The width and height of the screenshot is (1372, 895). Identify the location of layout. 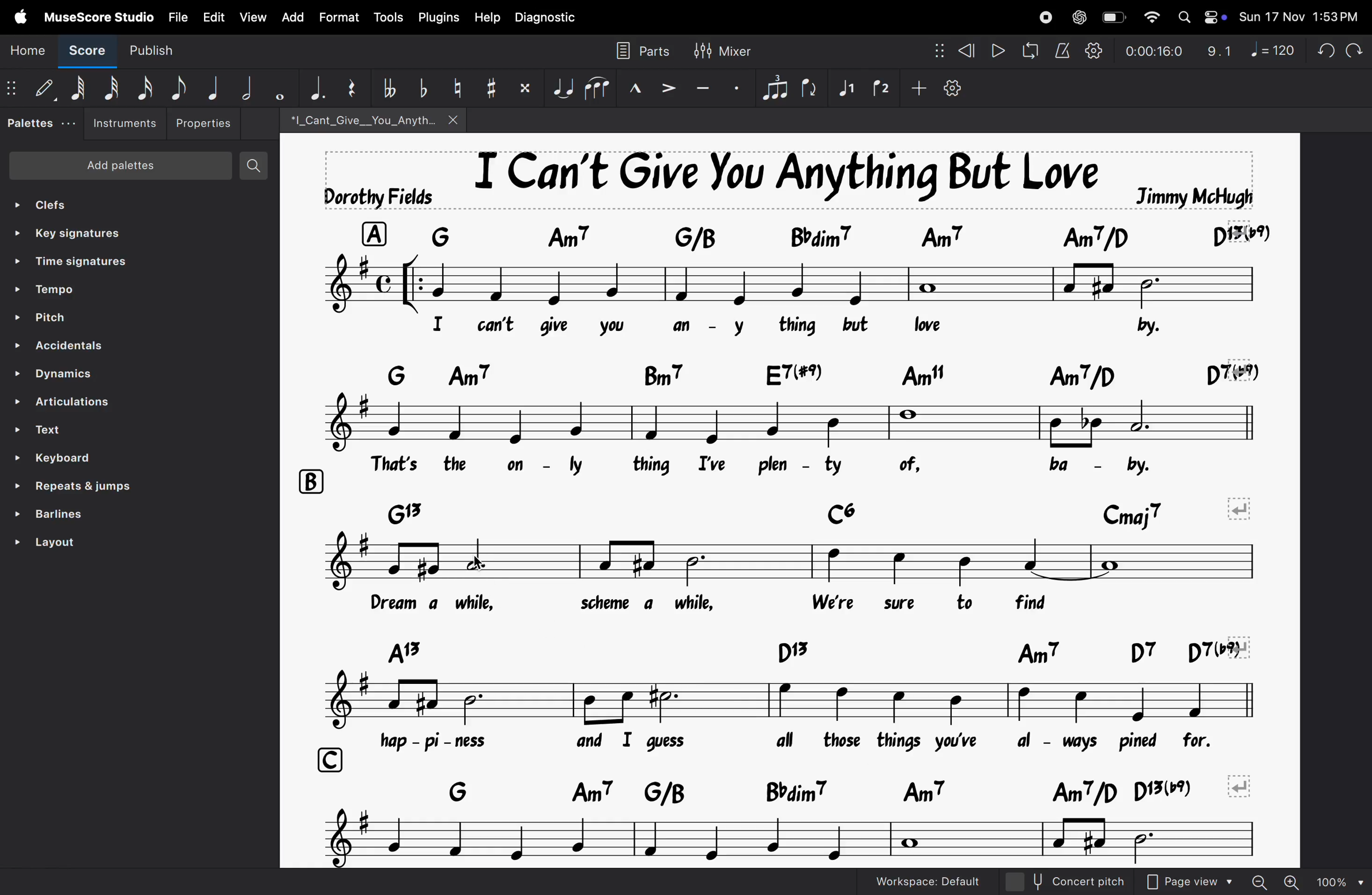
(49, 541).